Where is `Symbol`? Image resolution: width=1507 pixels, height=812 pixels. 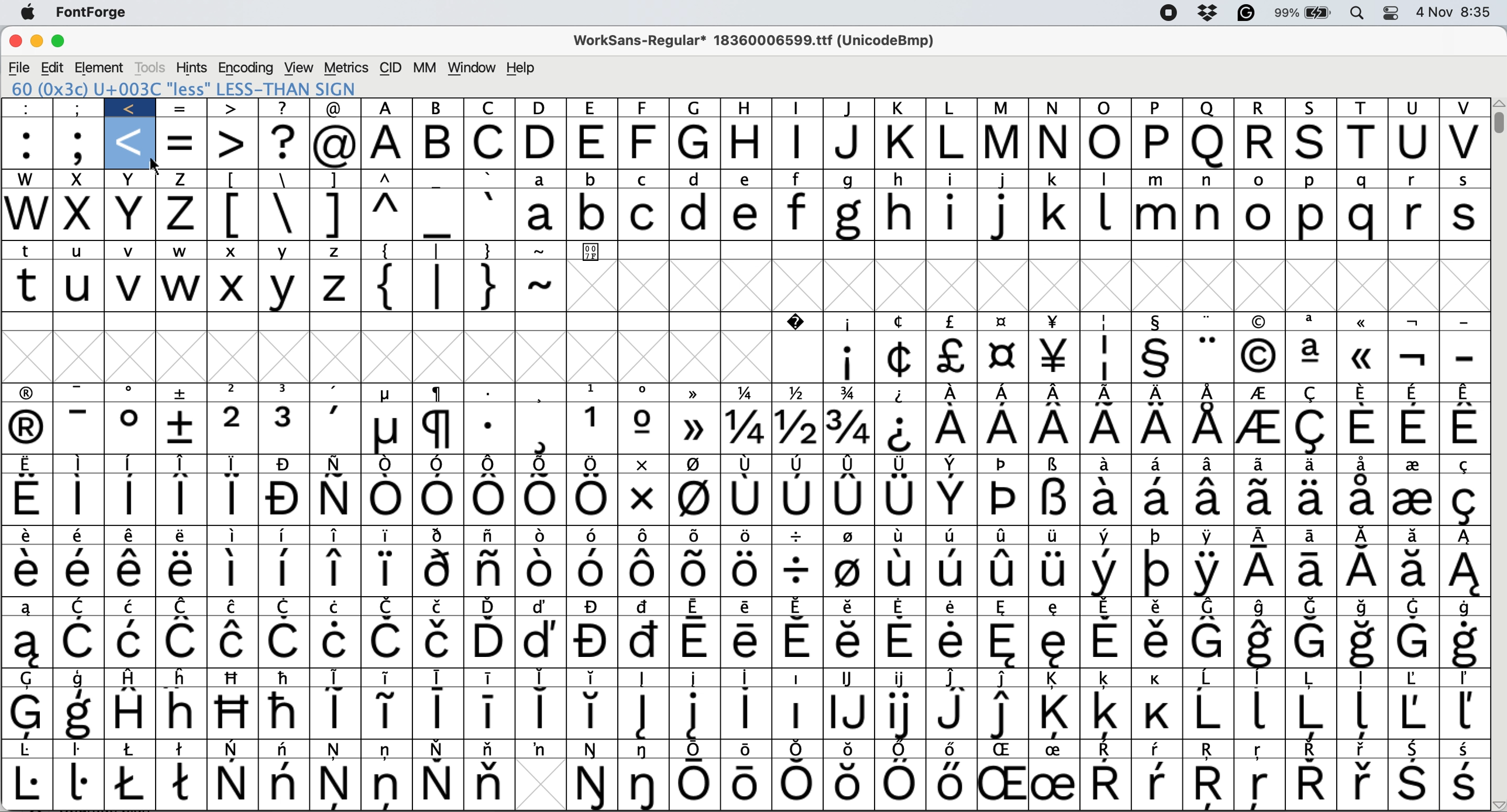 Symbol is located at coordinates (1264, 320).